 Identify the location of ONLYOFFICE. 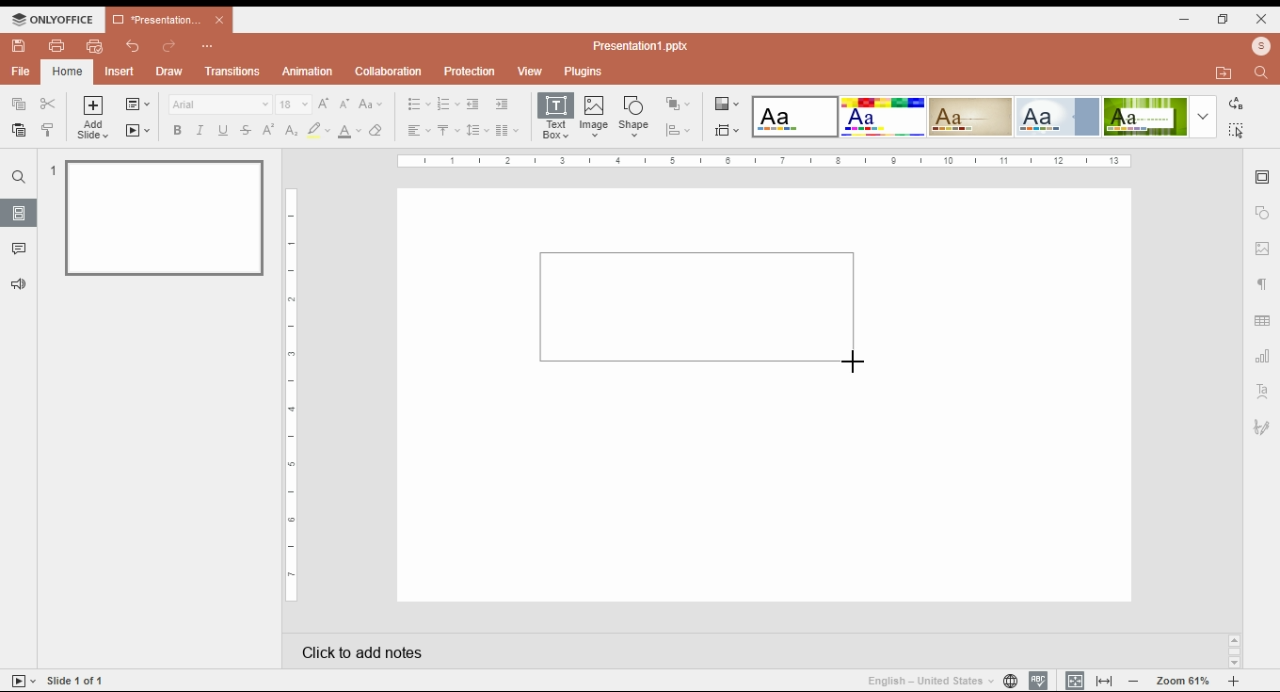
(54, 19).